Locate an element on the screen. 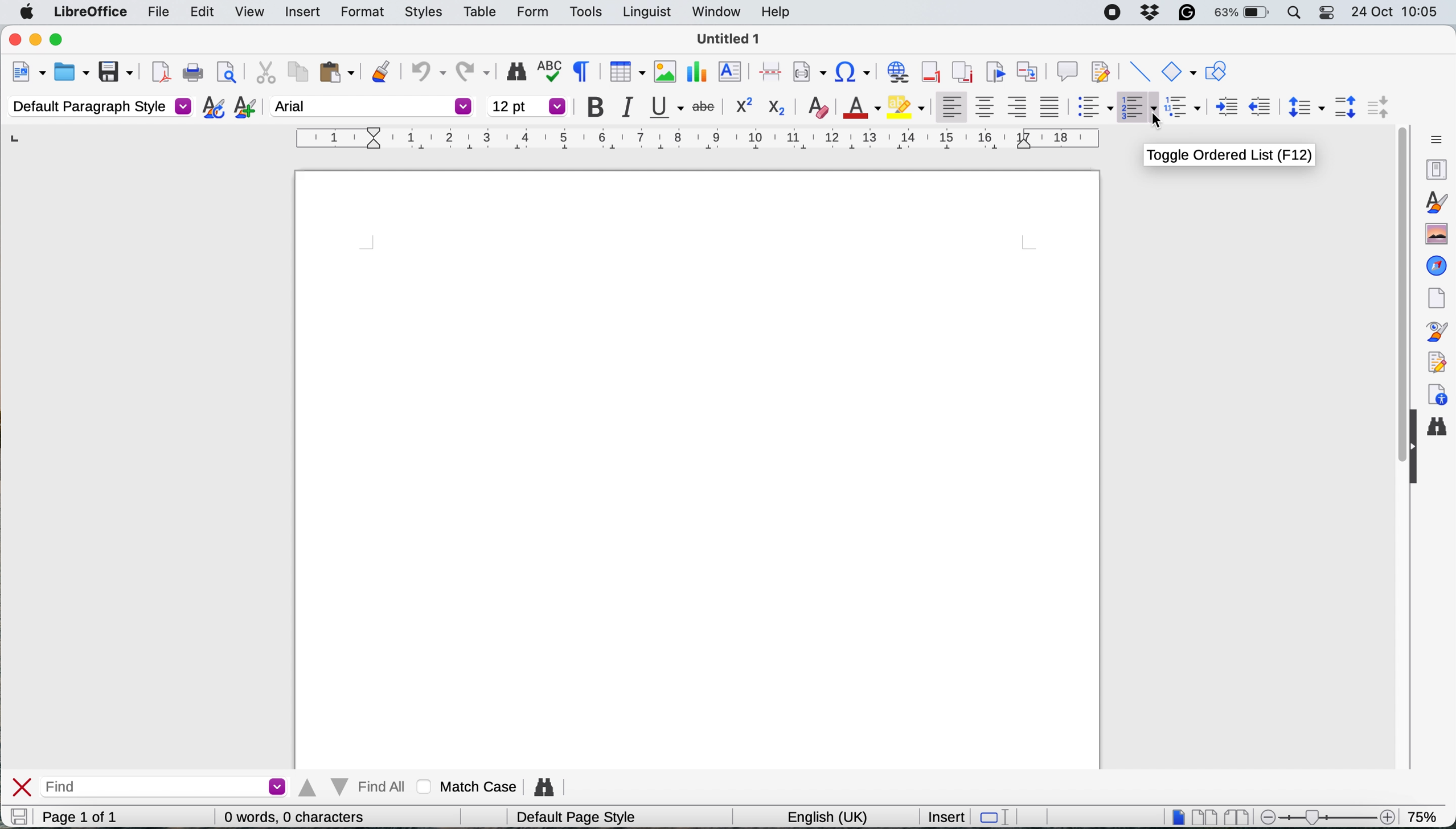  fill color is located at coordinates (906, 106).